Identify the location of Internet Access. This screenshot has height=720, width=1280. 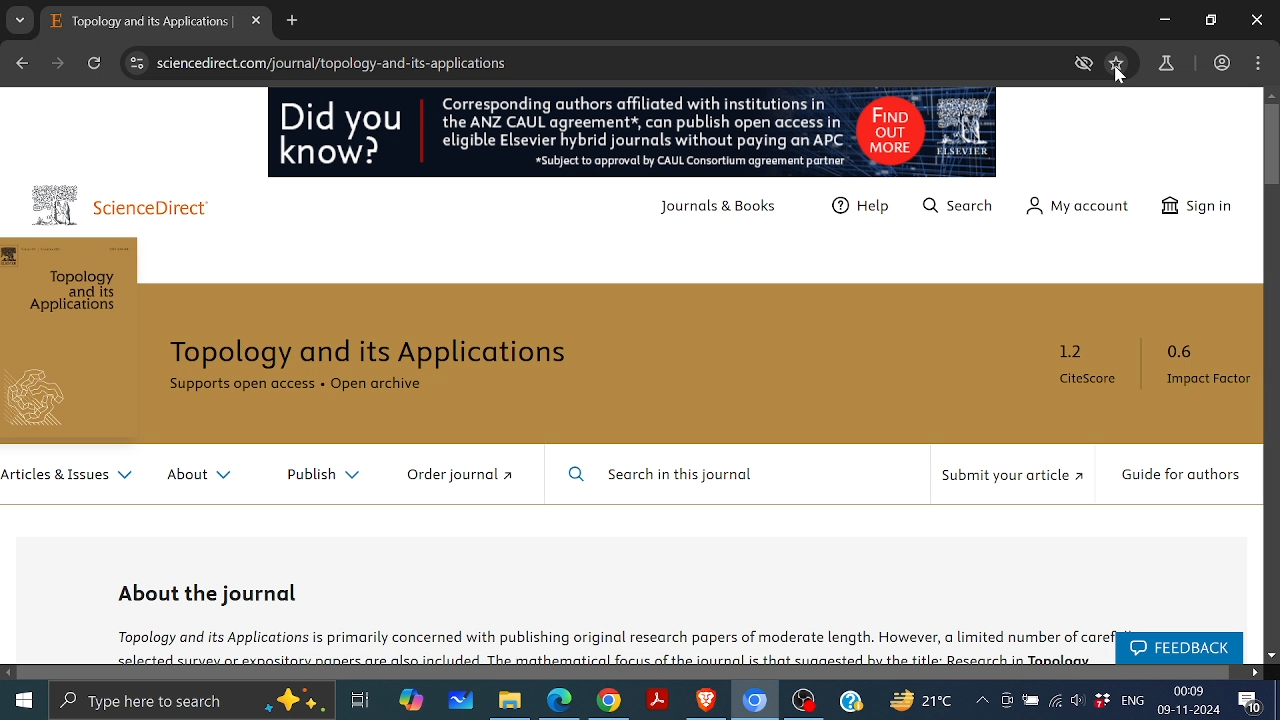
(1055, 700).